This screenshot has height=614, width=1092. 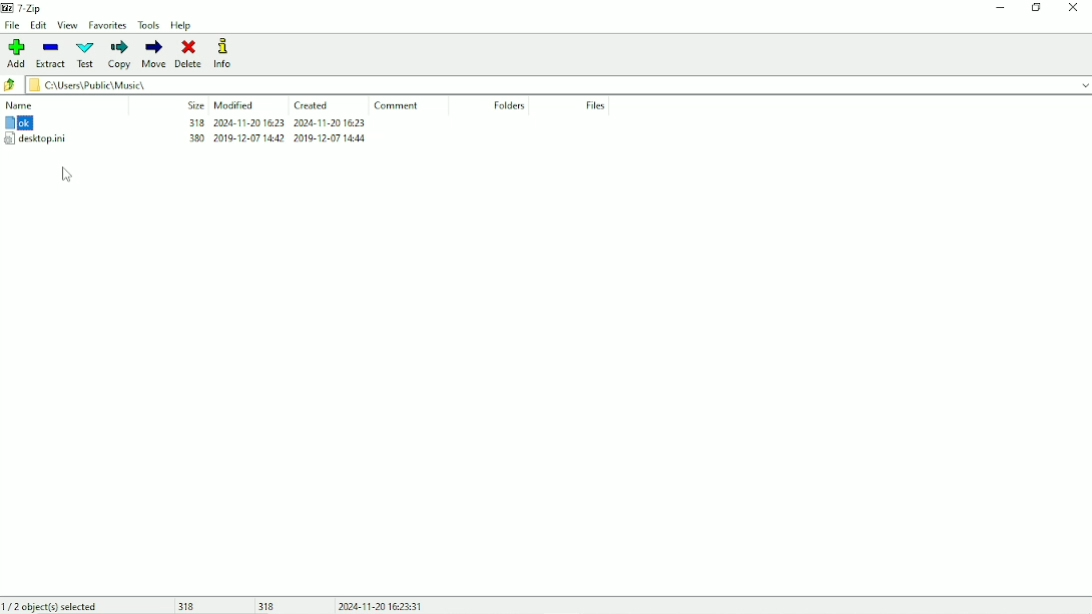 I want to click on Close, so click(x=1074, y=8).